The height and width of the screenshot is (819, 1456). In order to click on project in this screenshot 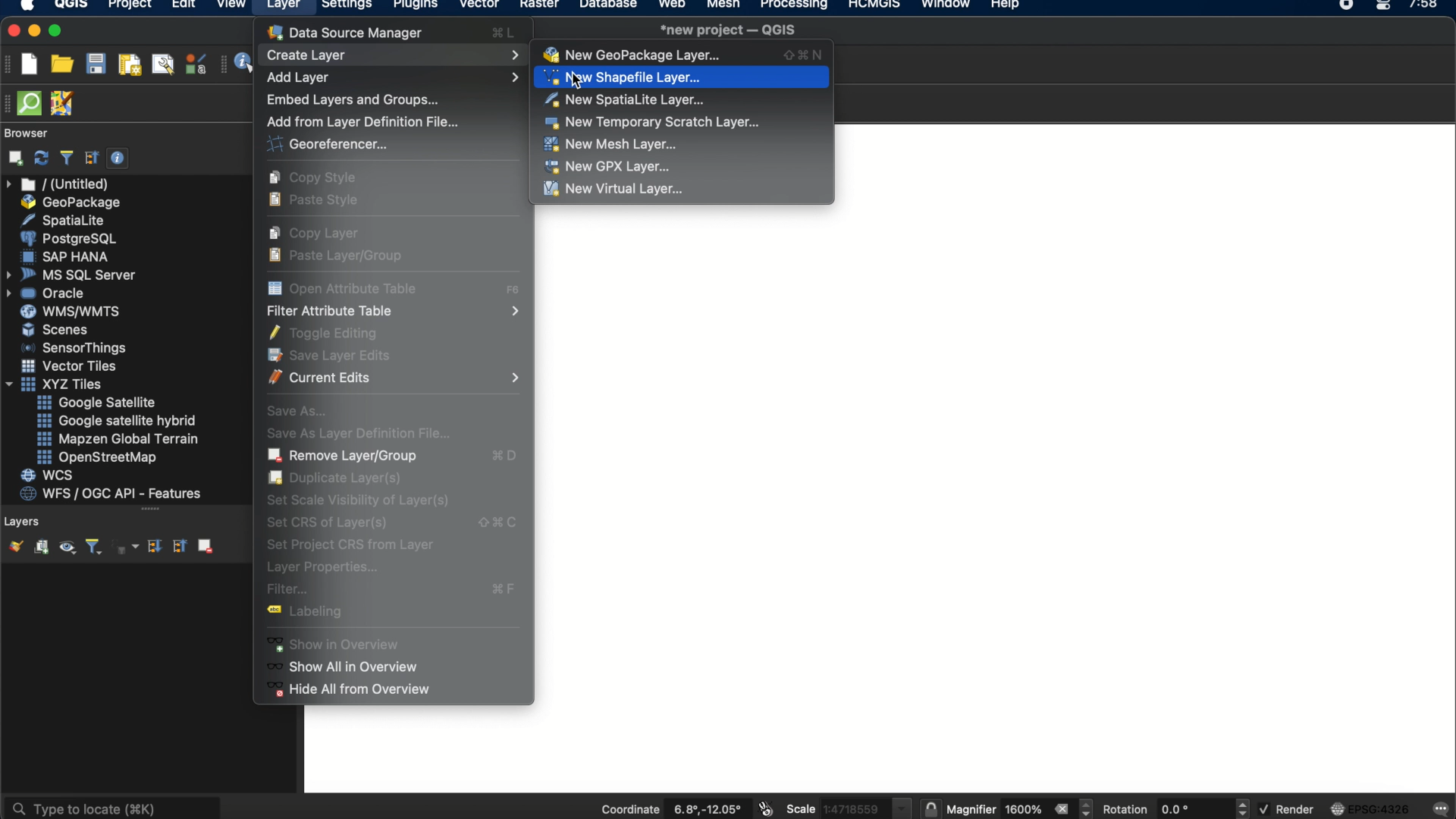, I will do `click(127, 6)`.